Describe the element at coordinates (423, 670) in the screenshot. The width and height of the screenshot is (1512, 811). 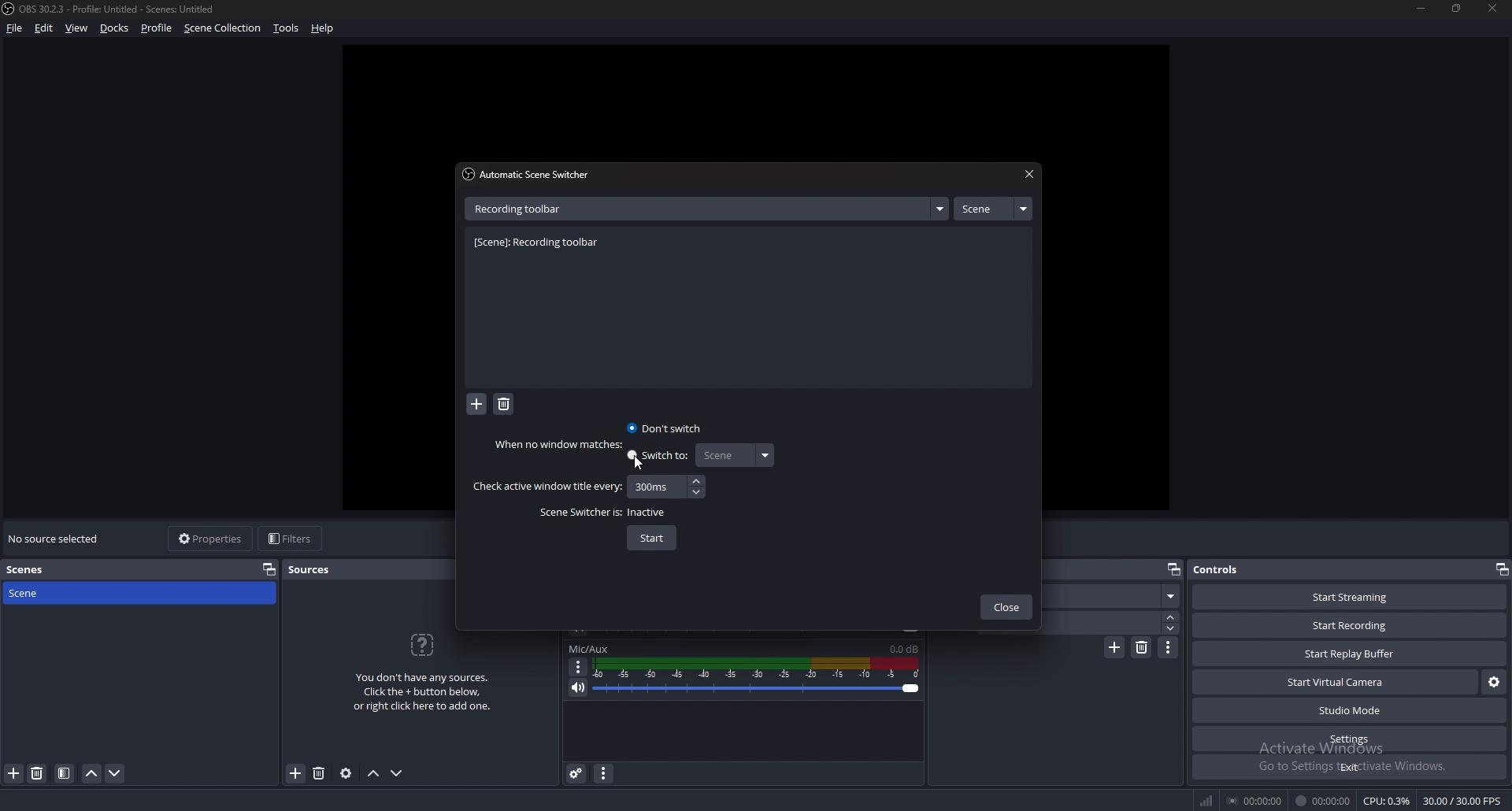
I see `info` at that location.